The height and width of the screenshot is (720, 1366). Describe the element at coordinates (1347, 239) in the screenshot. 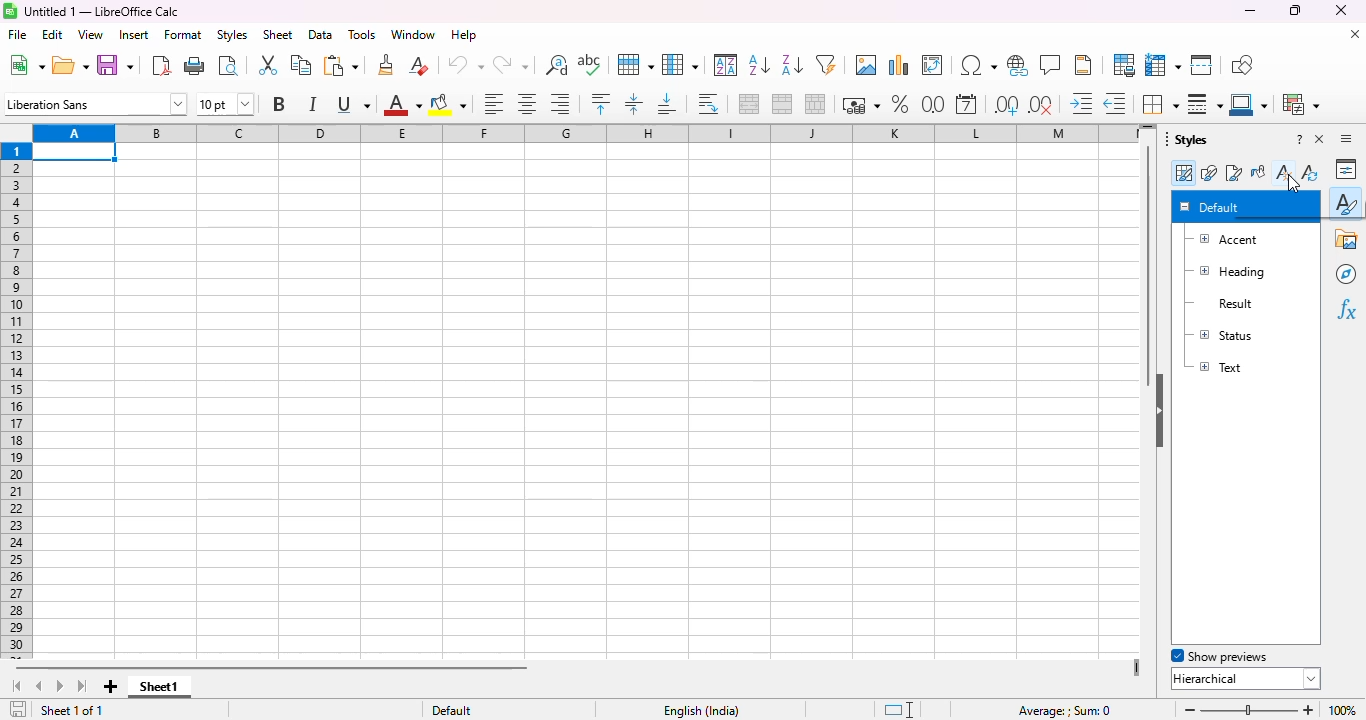

I see `gallery` at that location.